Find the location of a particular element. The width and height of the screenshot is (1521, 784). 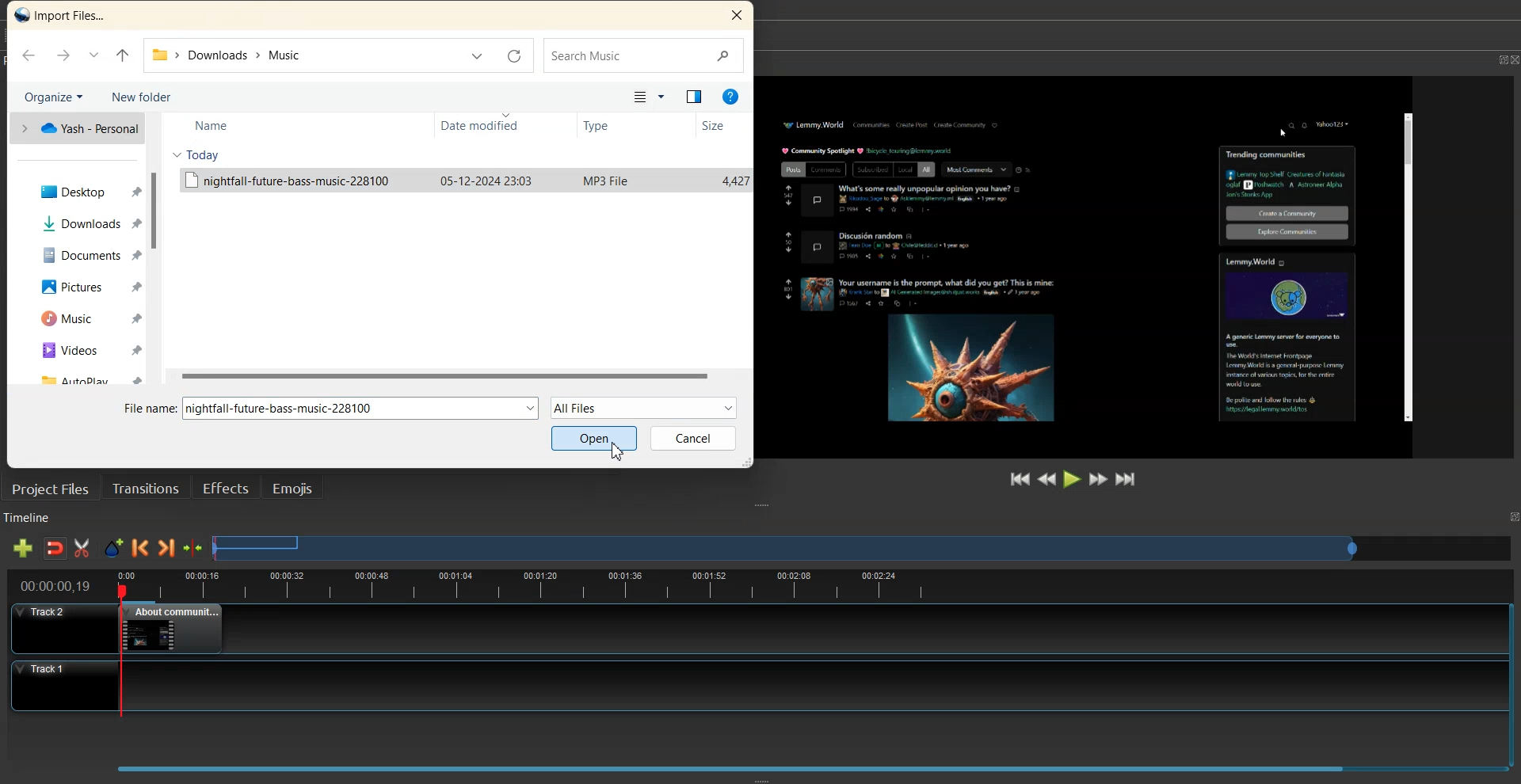

timeline view is located at coordinates (44, 584).